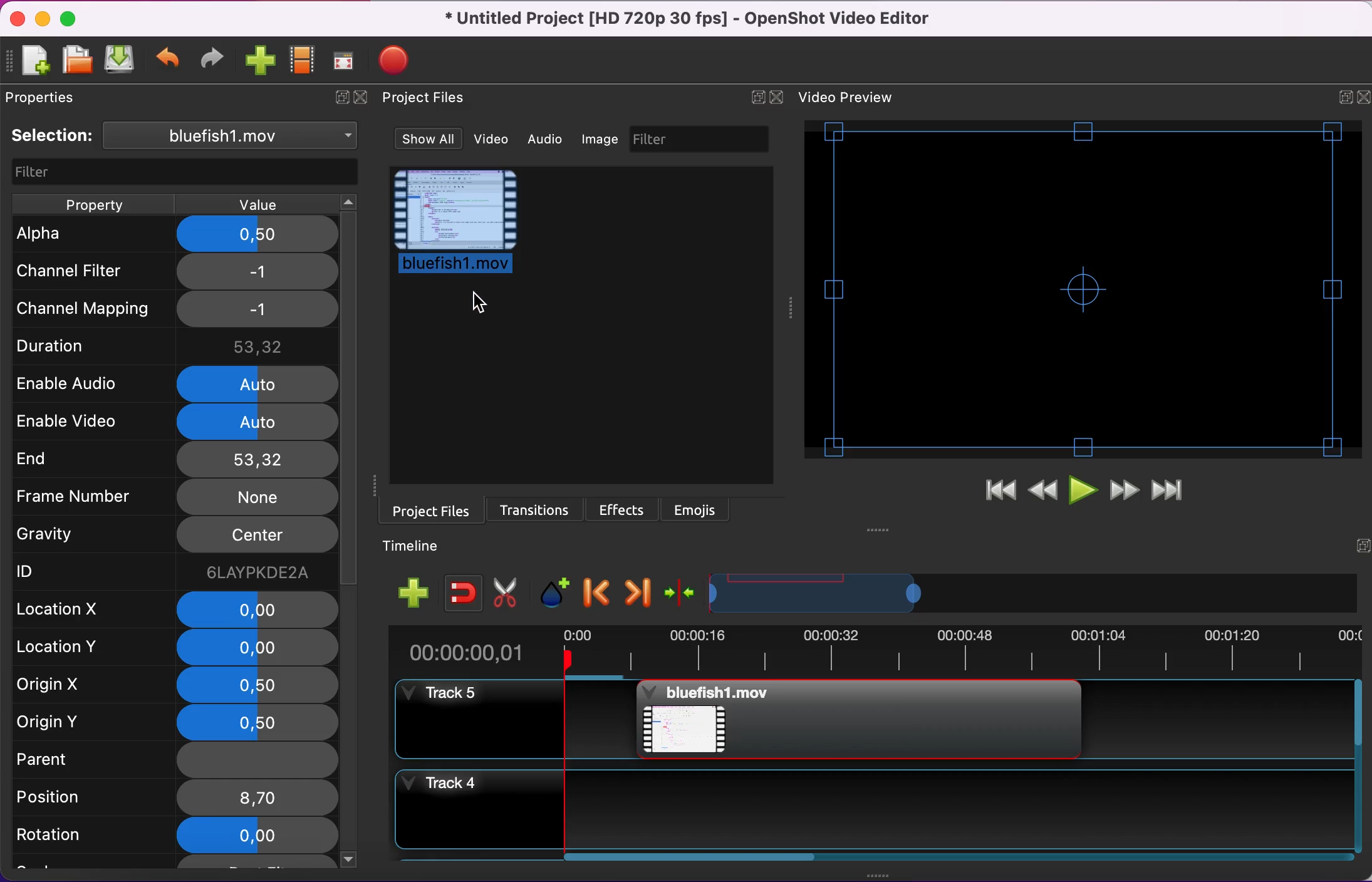 Image resolution: width=1372 pixels, height=882 pixels. Describe the element at coordinates (96, 203) in the screenshot. I see `property` at that location.